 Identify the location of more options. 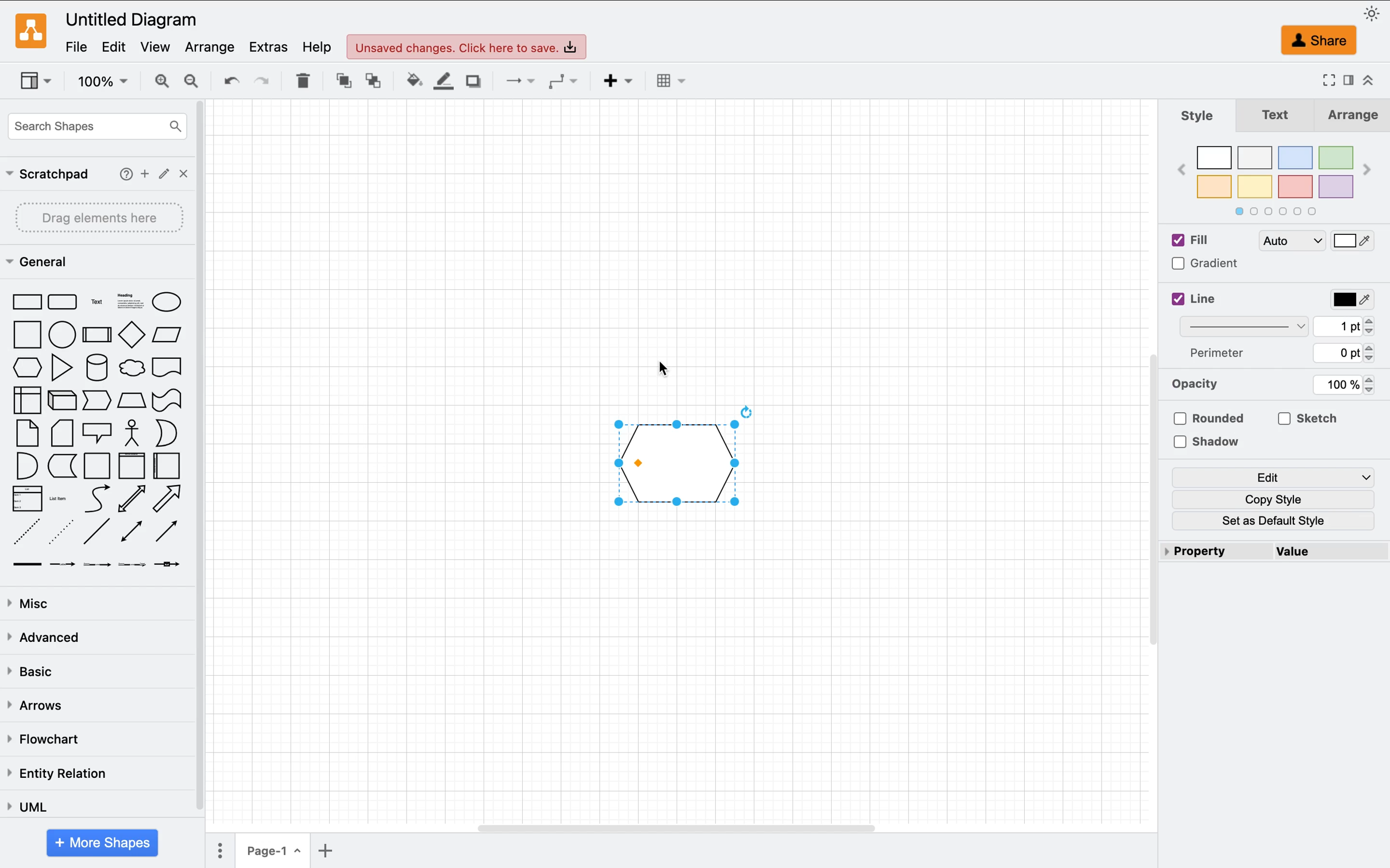
(216, 850).